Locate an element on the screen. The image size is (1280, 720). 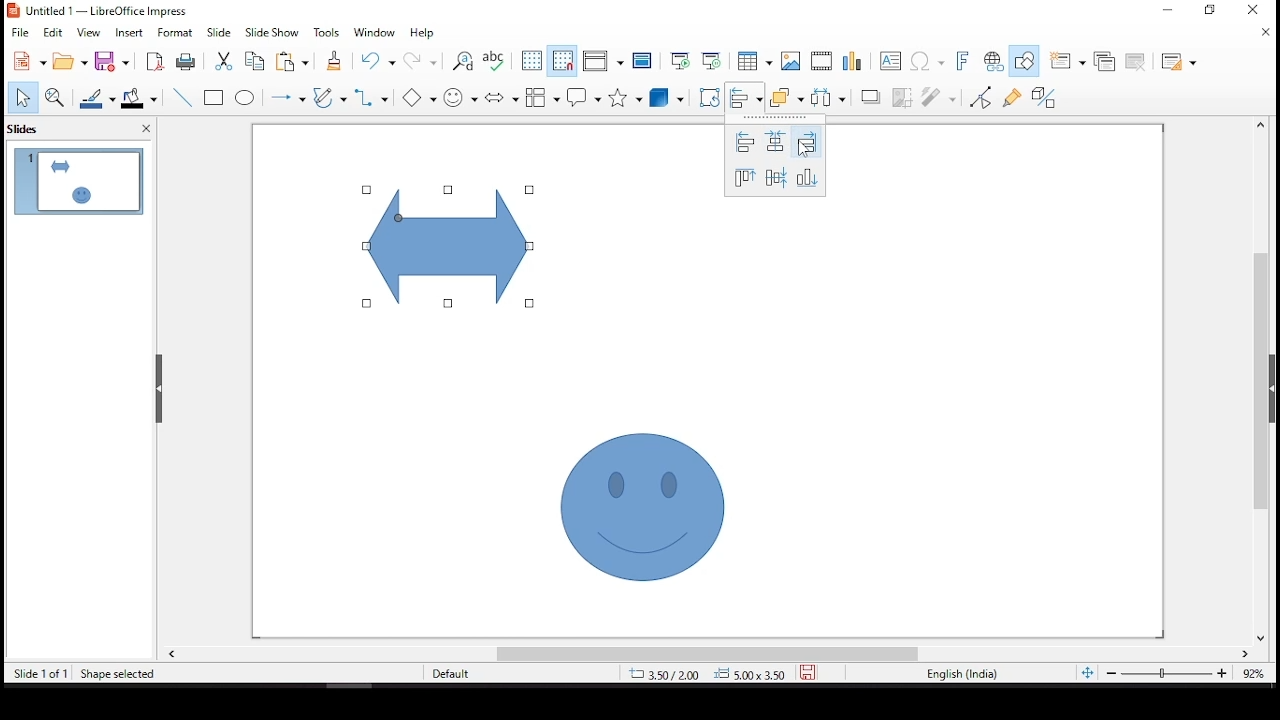
redo is located at coordinates (419, 62).